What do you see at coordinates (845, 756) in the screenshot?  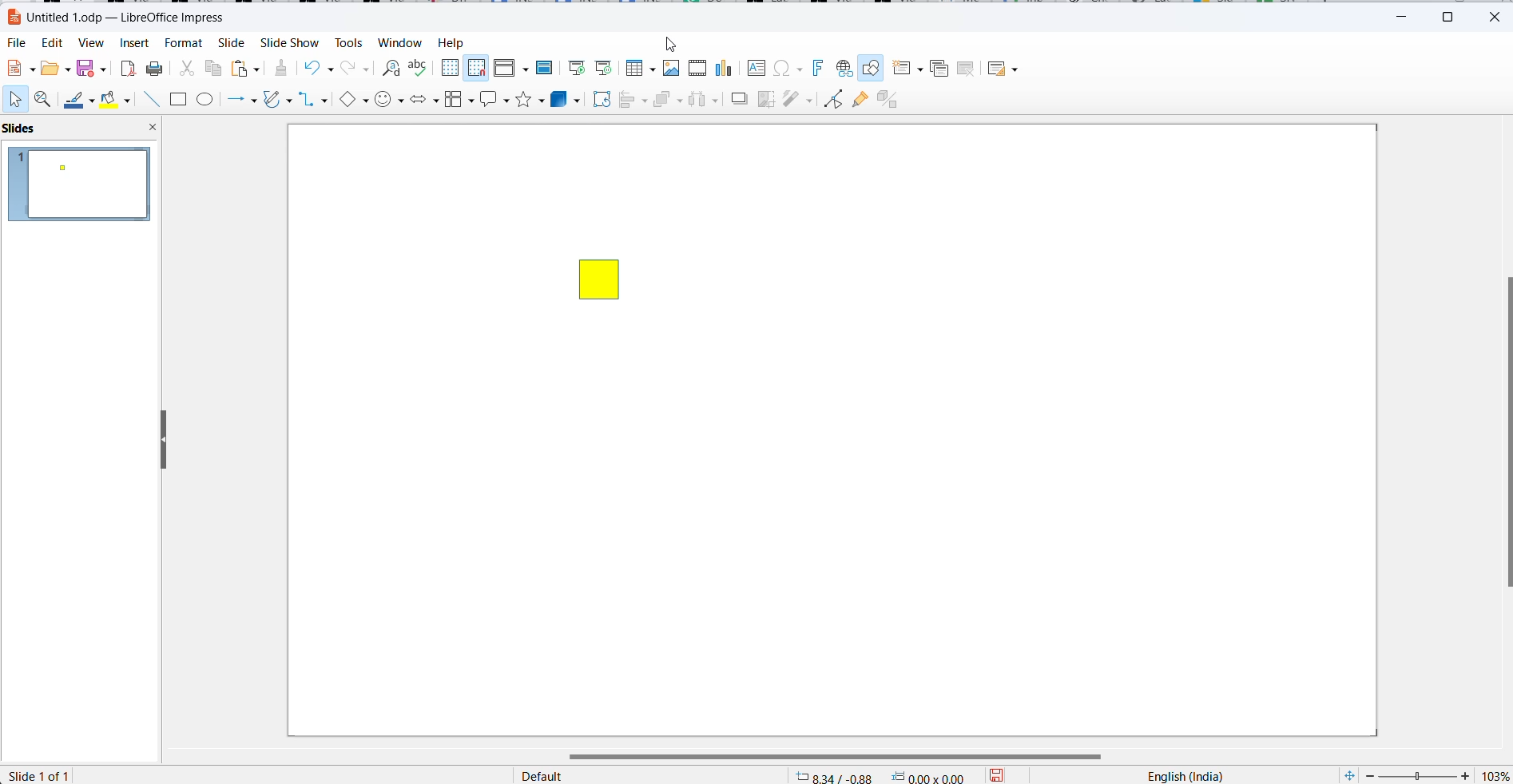 I see `scroll bar ` at bounding box center [845, 756].